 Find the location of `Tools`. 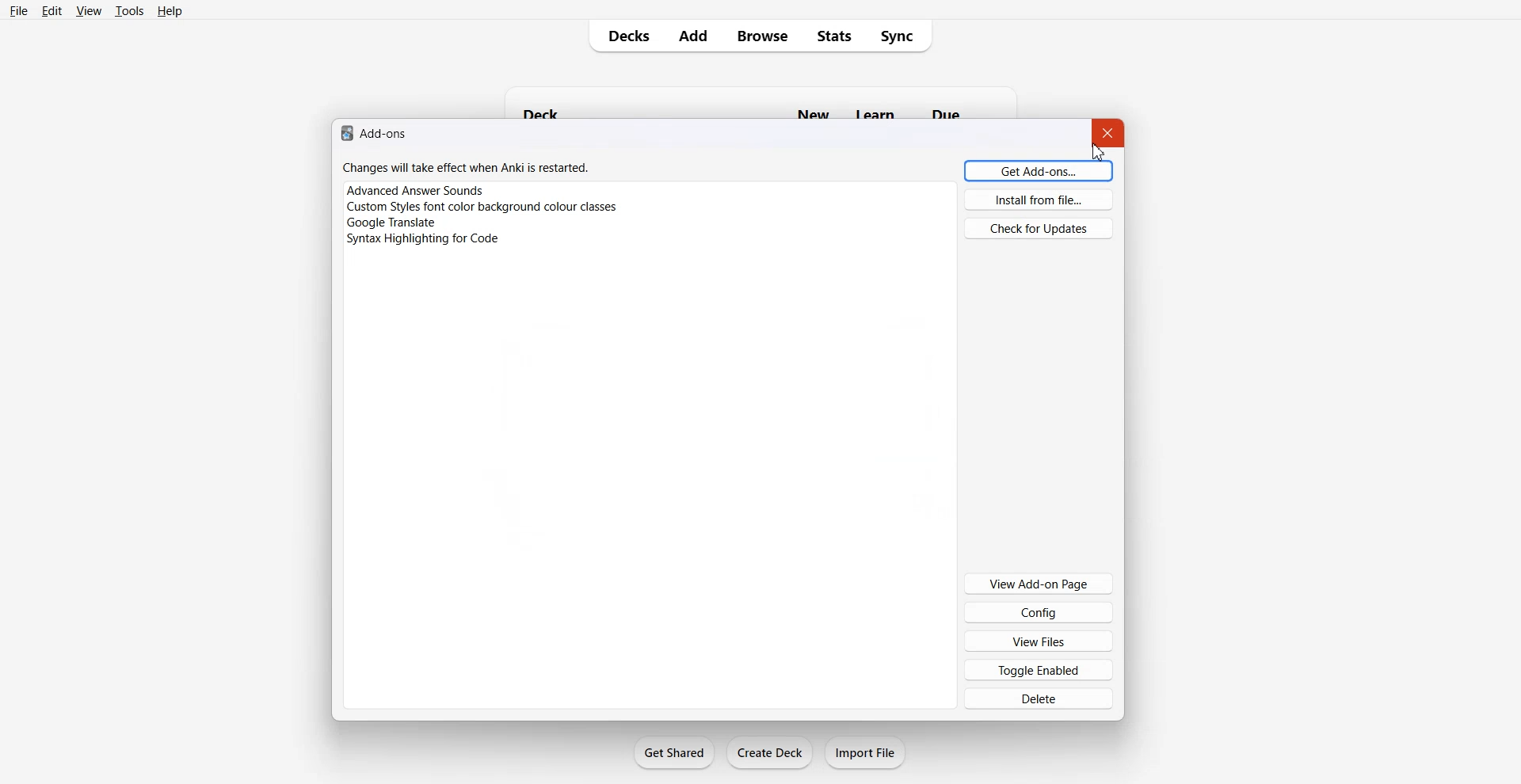

Tools is located at coordinates (129, 10).